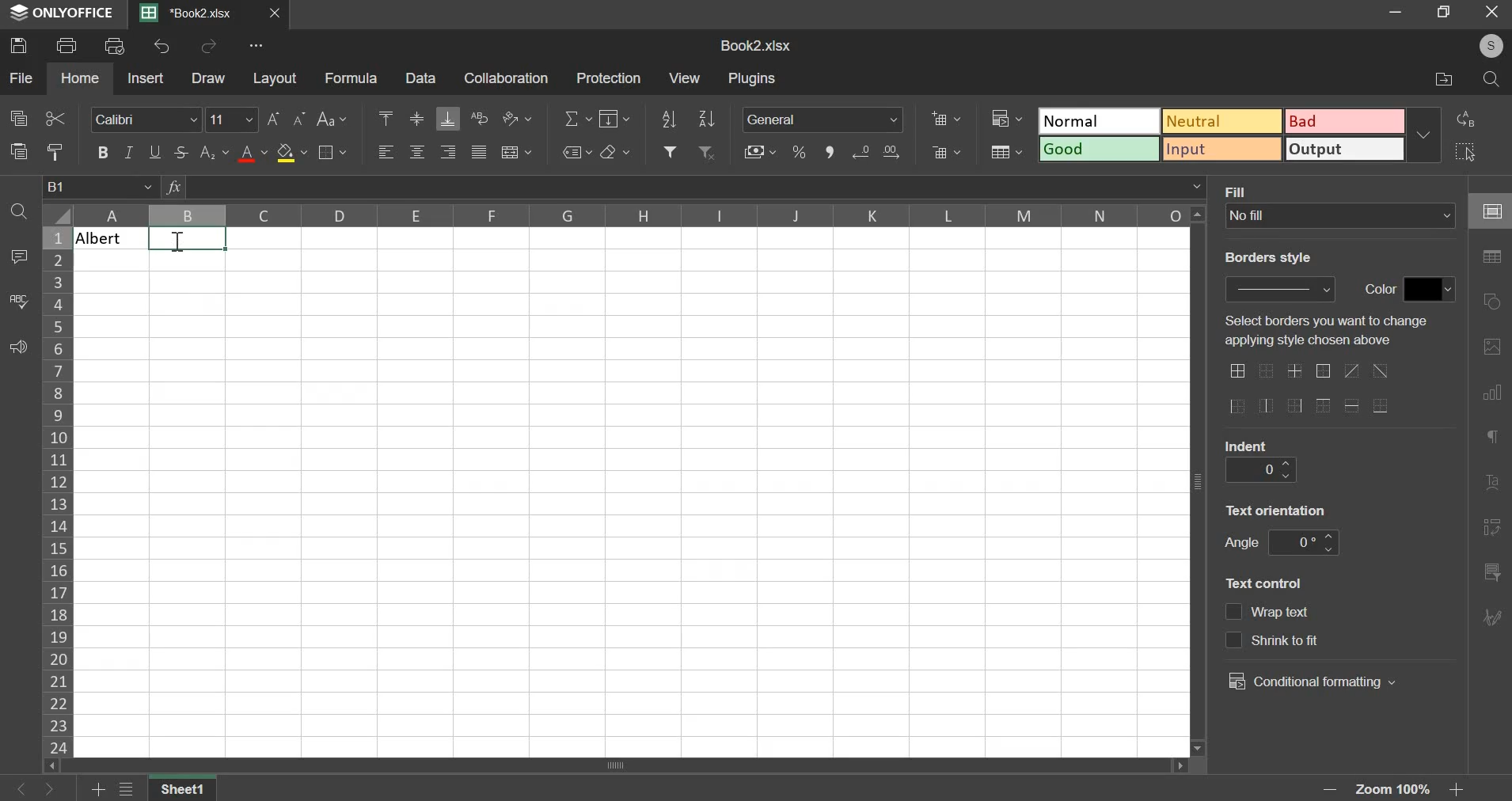 Image resolution: width=1512 pixels, height=801 pixels. I want to click on text color, so click(253, 154).